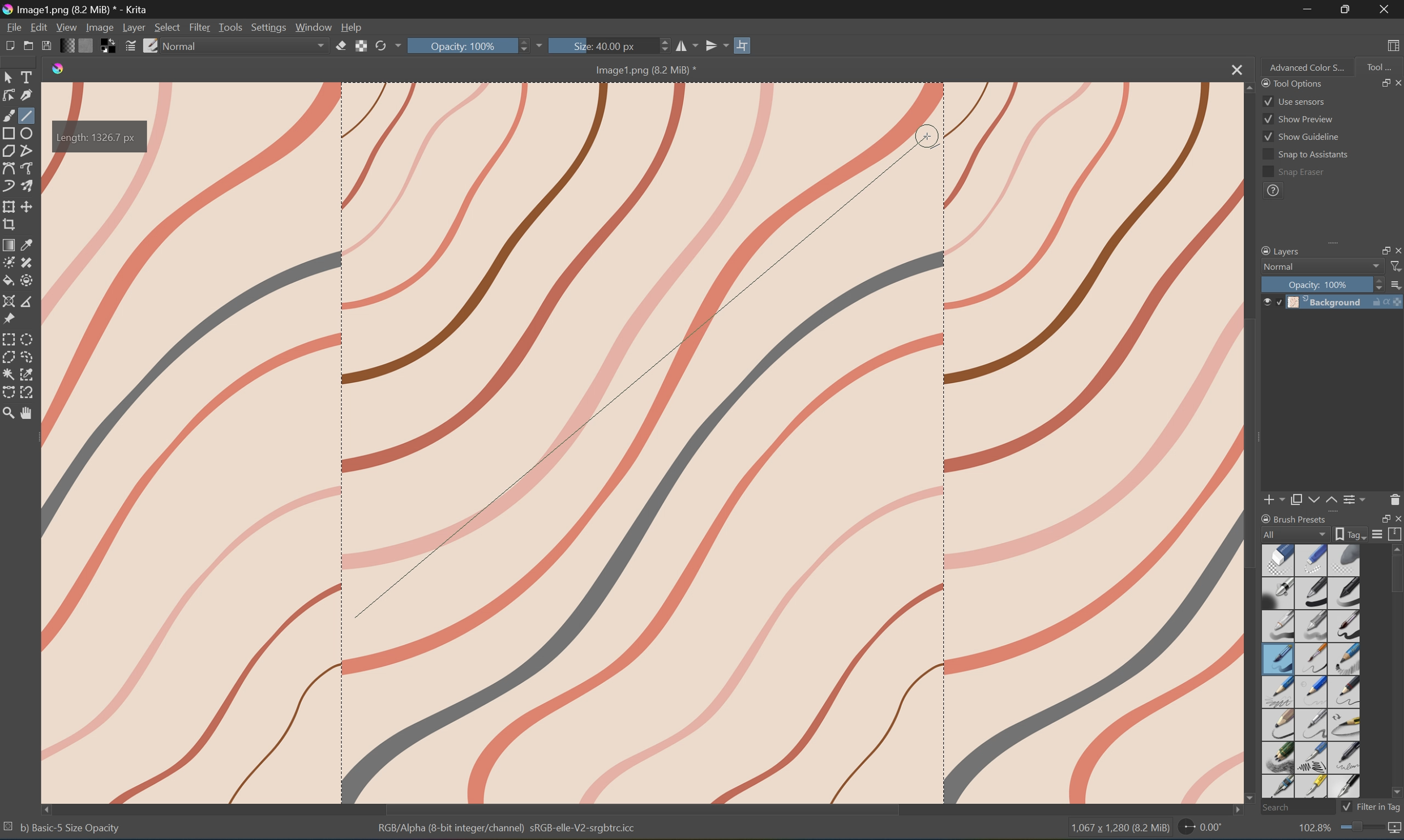  I want to click on Edit, so click(38, 26).